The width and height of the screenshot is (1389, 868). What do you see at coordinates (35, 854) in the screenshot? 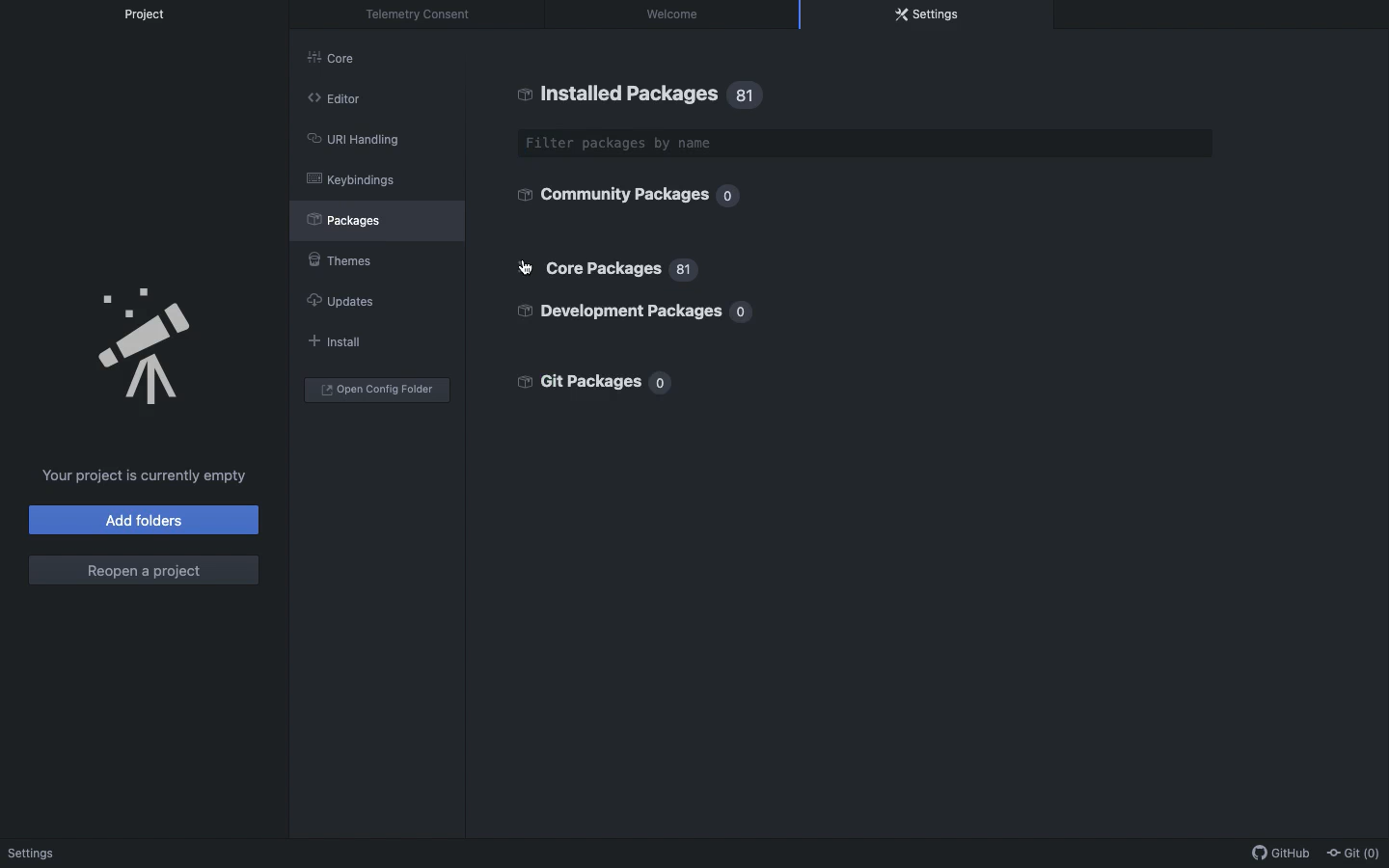
I see `Welcome` at bounding box center [35, 854].